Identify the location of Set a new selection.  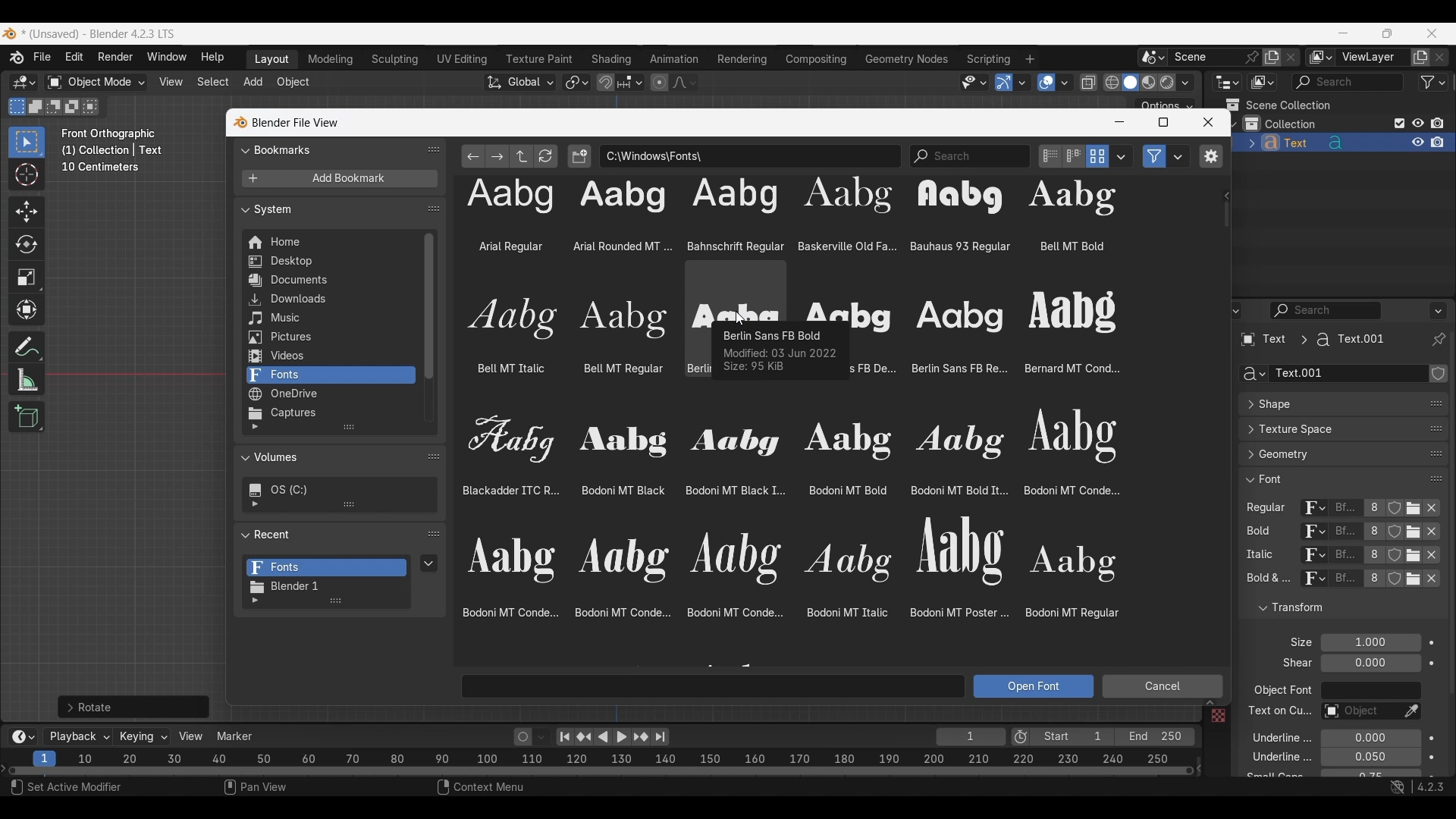
(17, 106).